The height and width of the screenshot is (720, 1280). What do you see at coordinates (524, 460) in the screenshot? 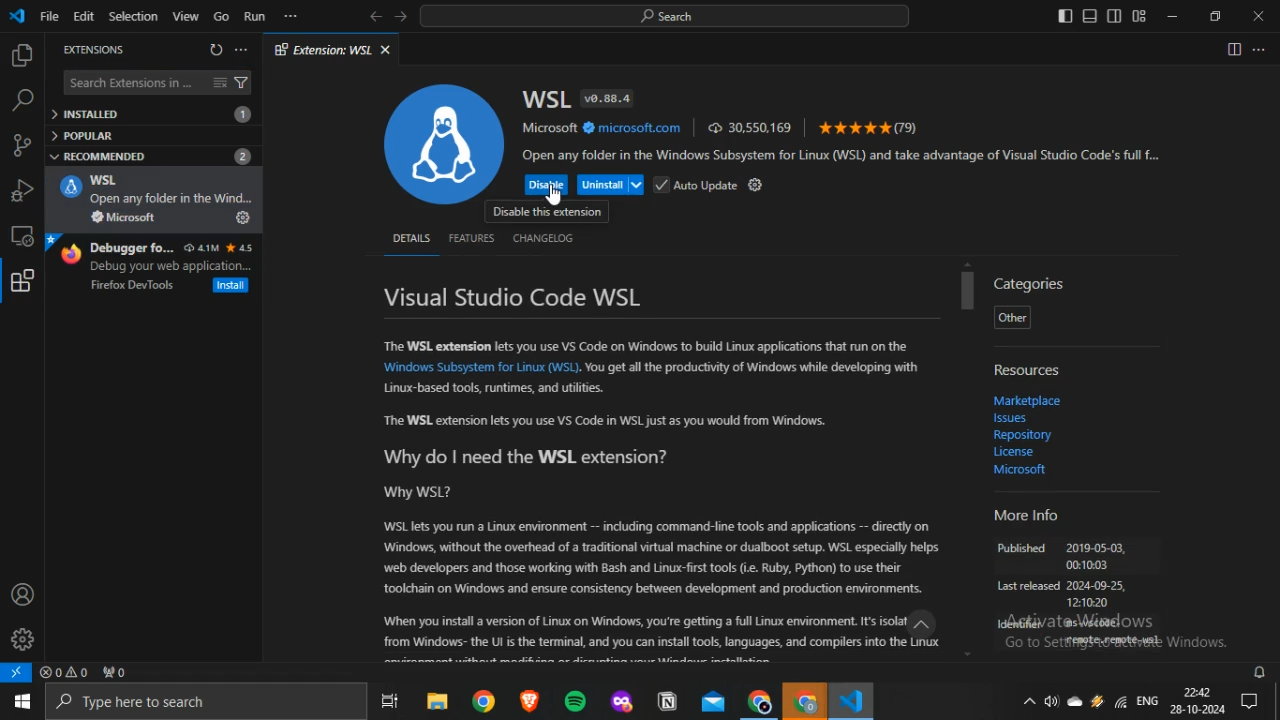
I see `Why do | need the WSL extension?` at bounding box center [524, 460].